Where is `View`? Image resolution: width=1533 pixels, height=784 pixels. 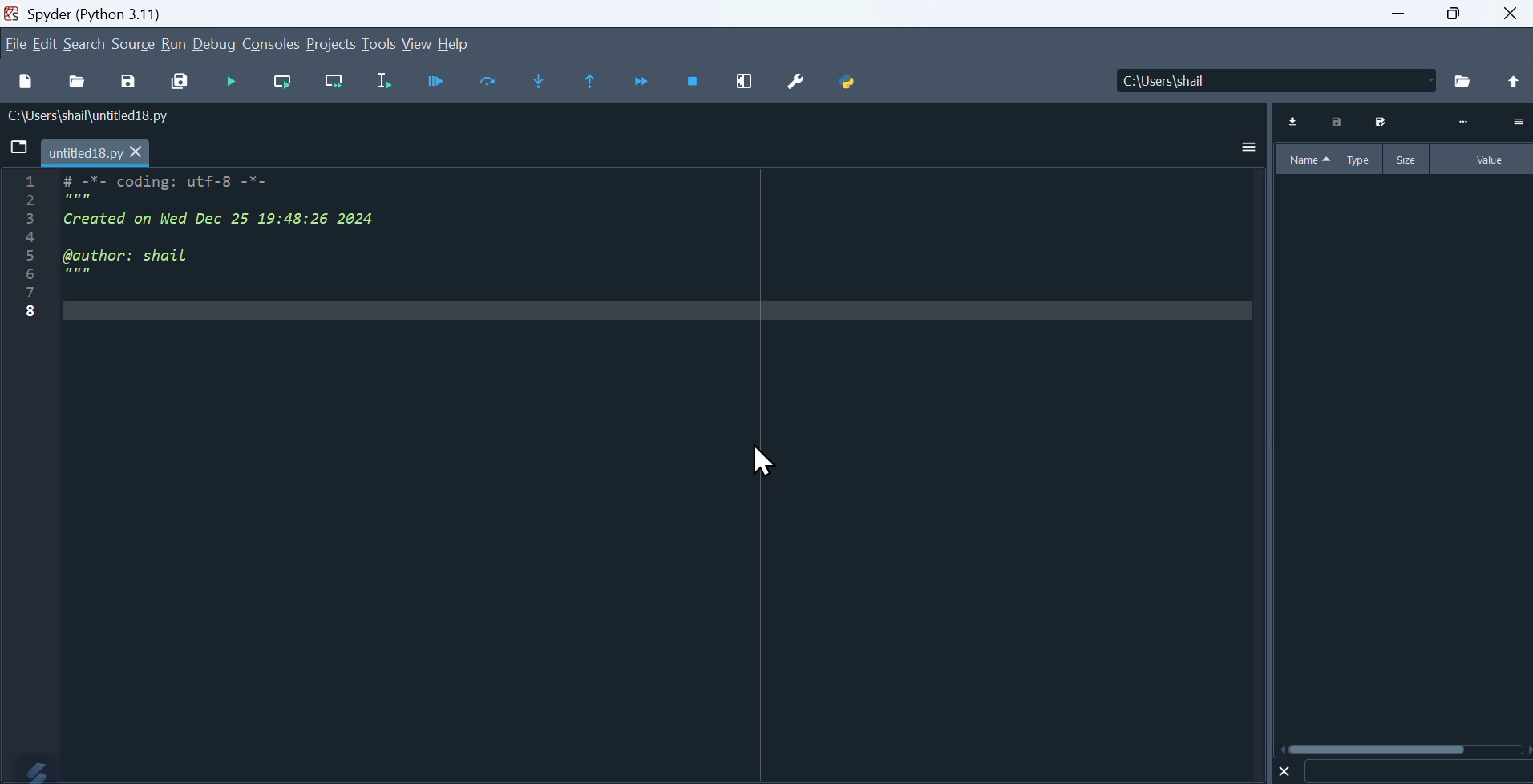
View is located at coordinates (418, 45).